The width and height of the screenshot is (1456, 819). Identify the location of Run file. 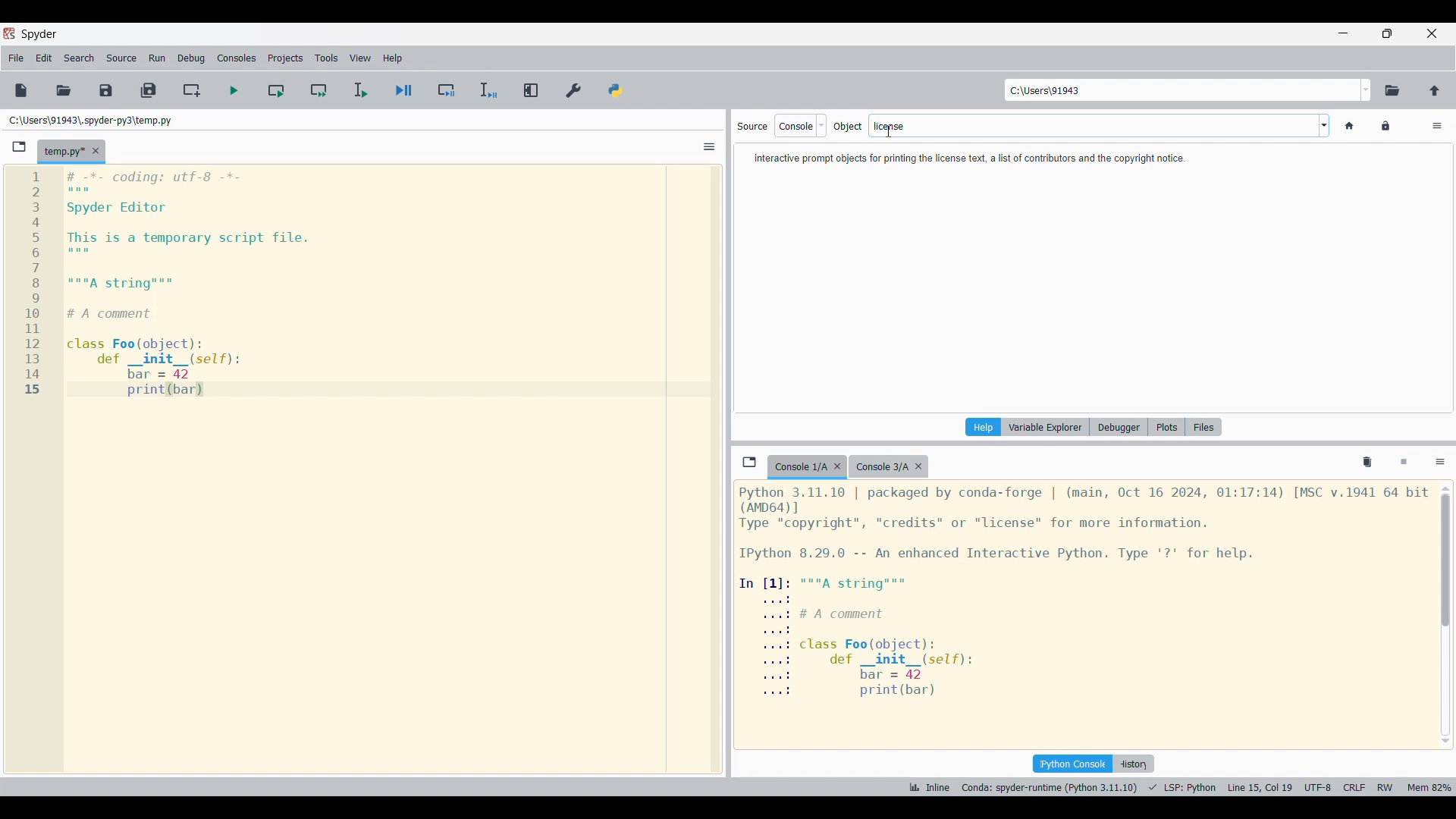
(234, 90).